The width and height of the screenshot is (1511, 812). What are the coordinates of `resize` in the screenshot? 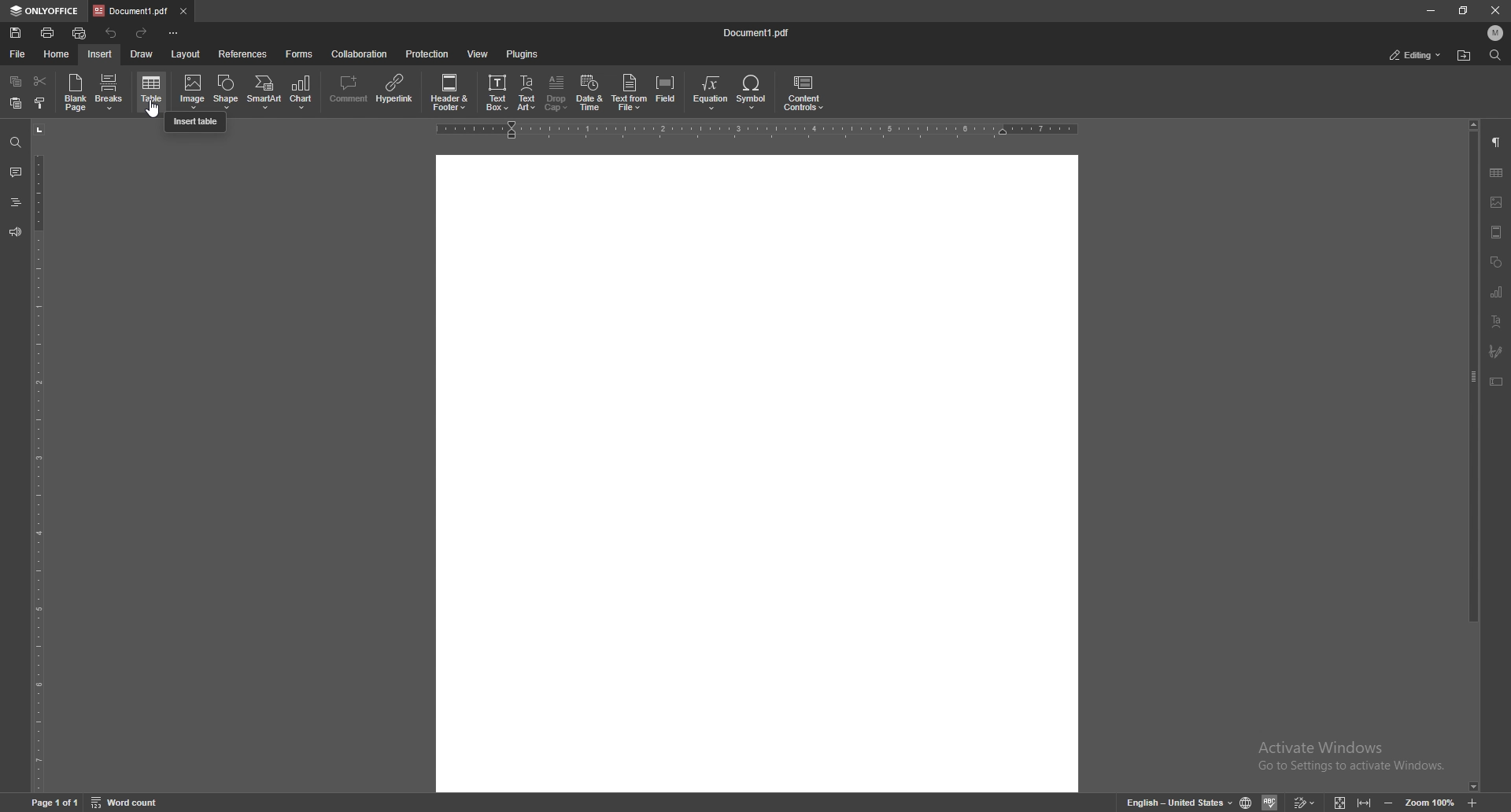 It's located at (1463, 9).